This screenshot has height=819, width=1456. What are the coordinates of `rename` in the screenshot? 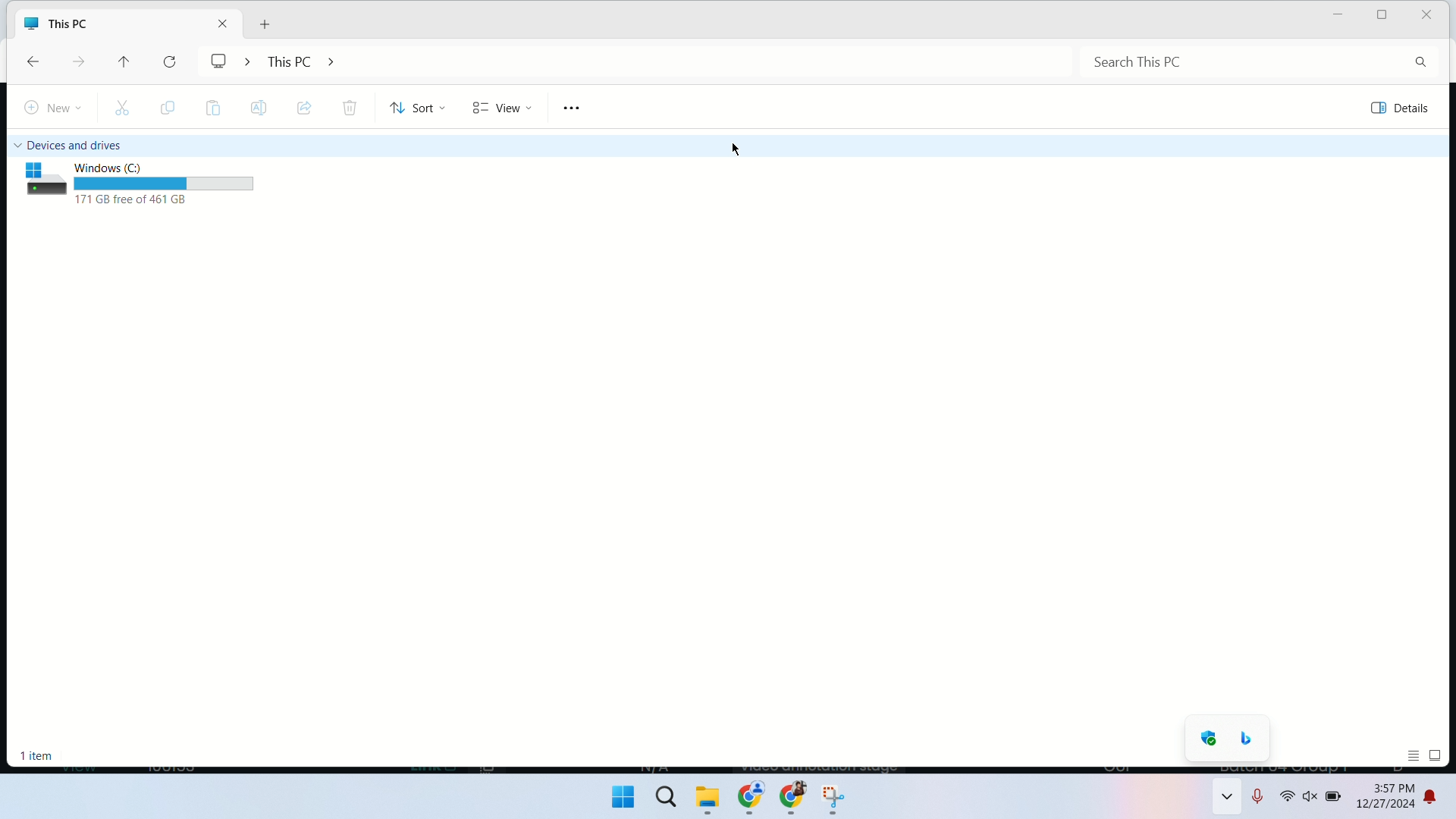 It's located at (261, 108).